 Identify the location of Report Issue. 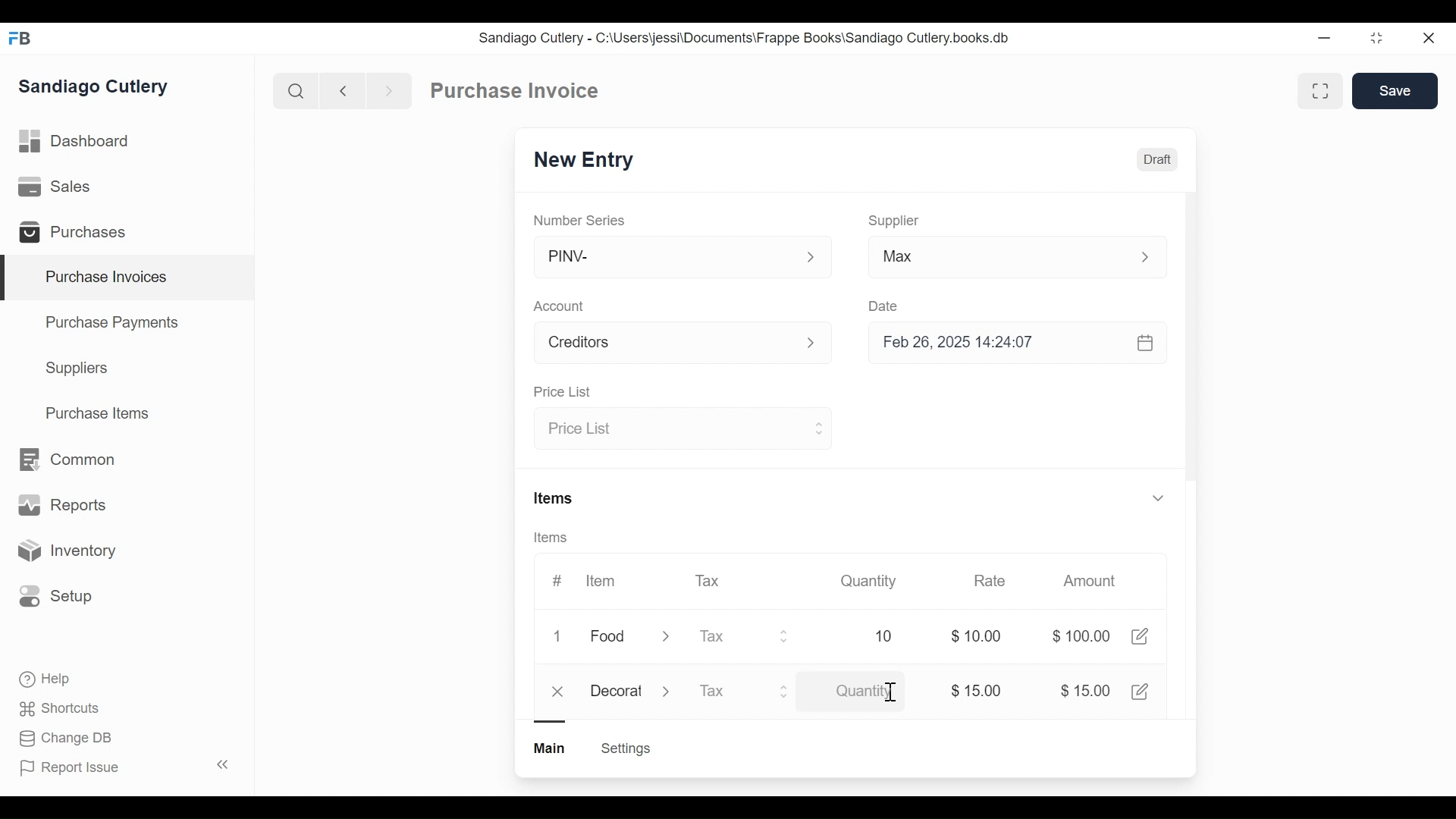
(124, 767).